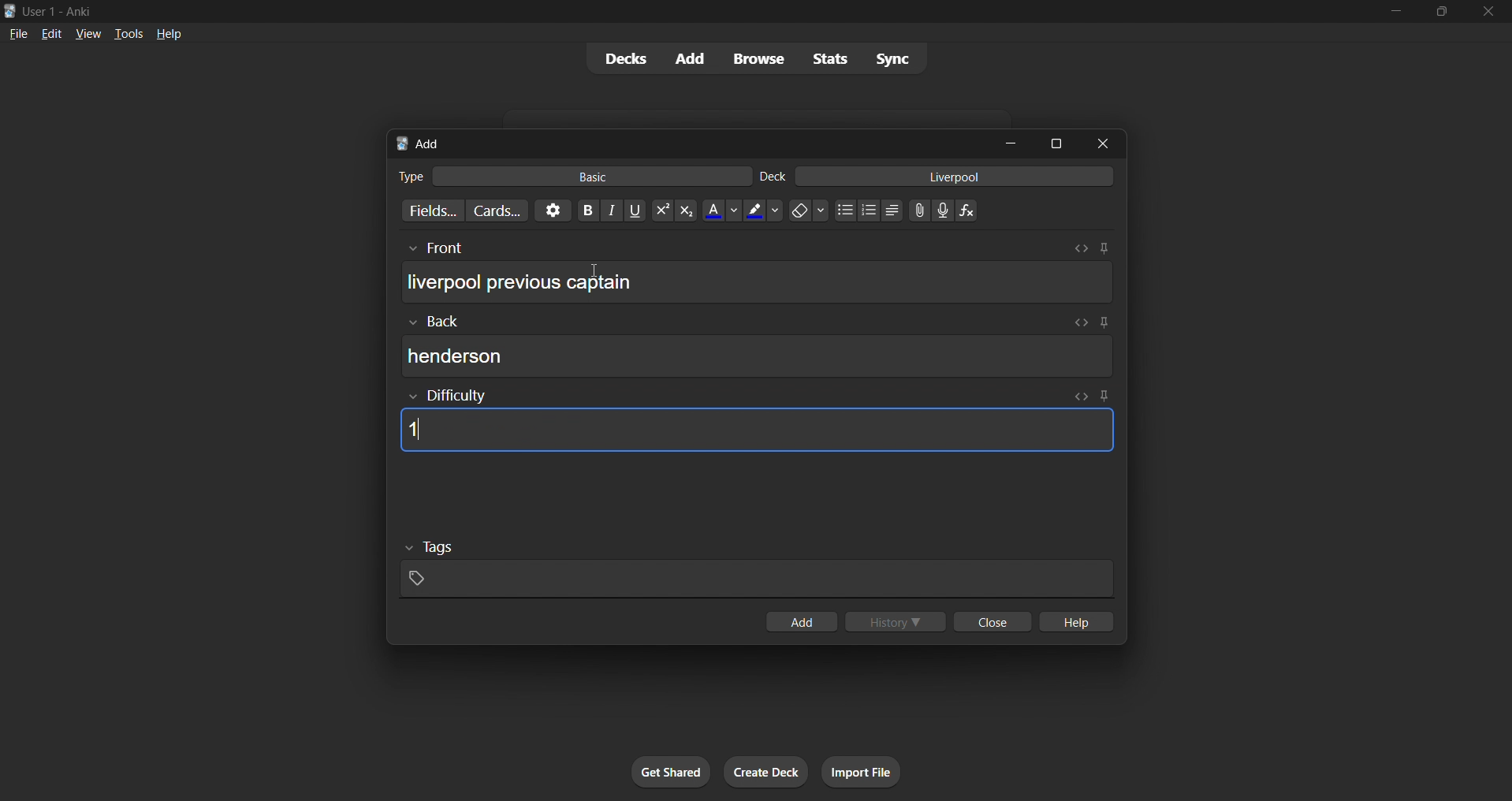 The image size is (1512, 801). What do you see at coordinates (684, 210) in the screenshot?
I see `subscript` at bounding box center [684, 210].